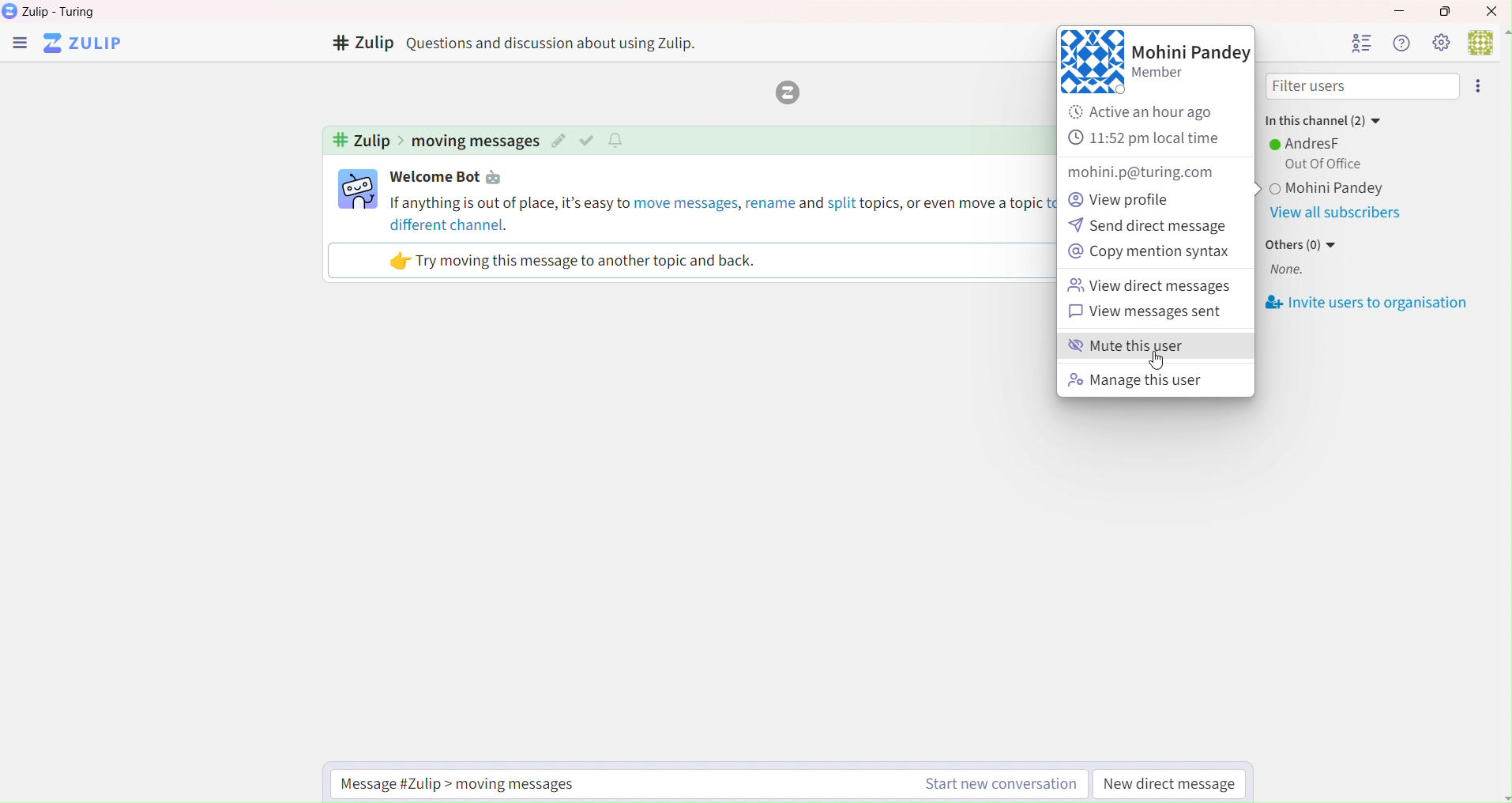 The height and width of the screenshot is (803, 1512). Describe the element at coordinates (1322, 118) in the screenshot. I see `In this channel (2) ` at that location.